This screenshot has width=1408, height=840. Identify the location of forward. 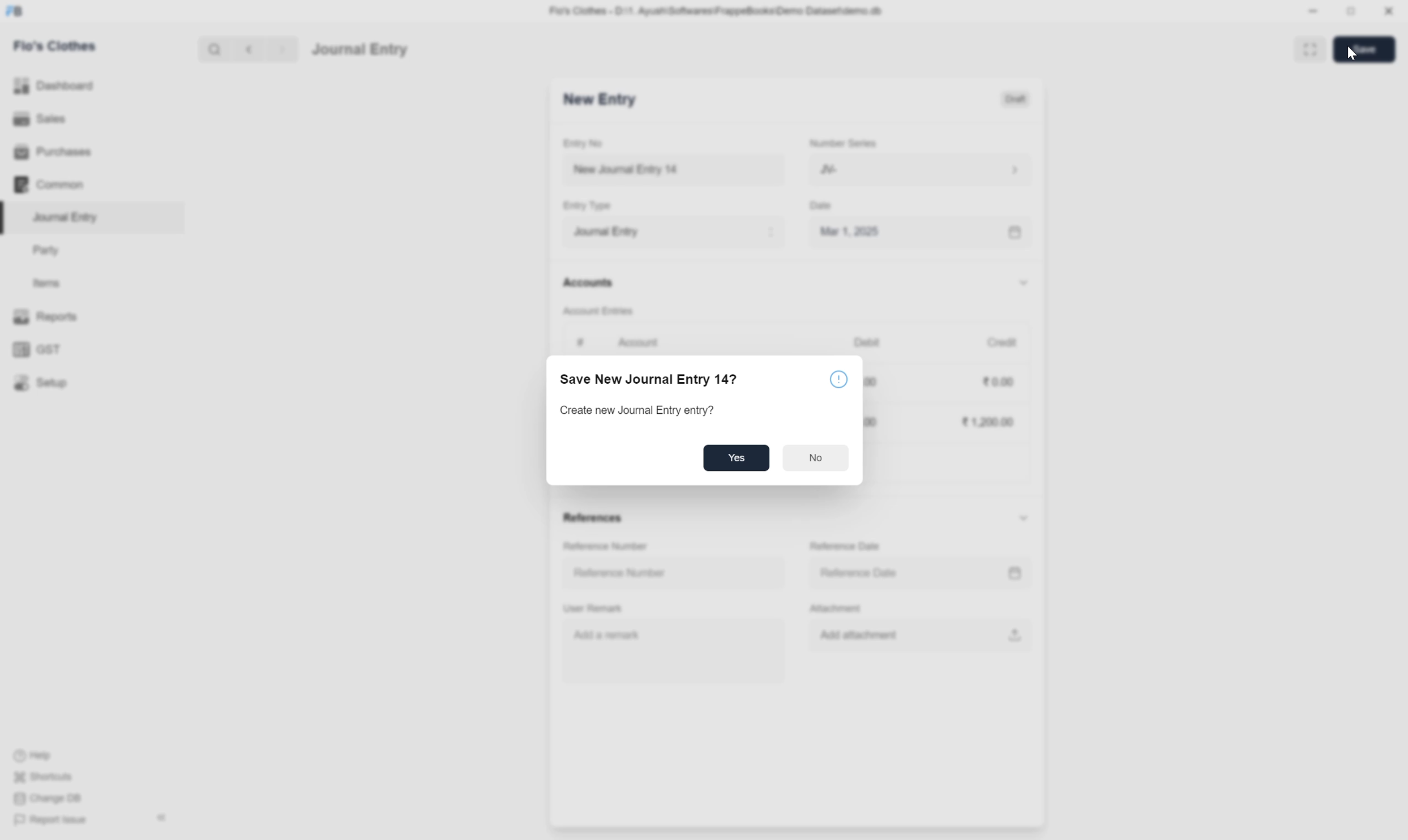
(280, 50).